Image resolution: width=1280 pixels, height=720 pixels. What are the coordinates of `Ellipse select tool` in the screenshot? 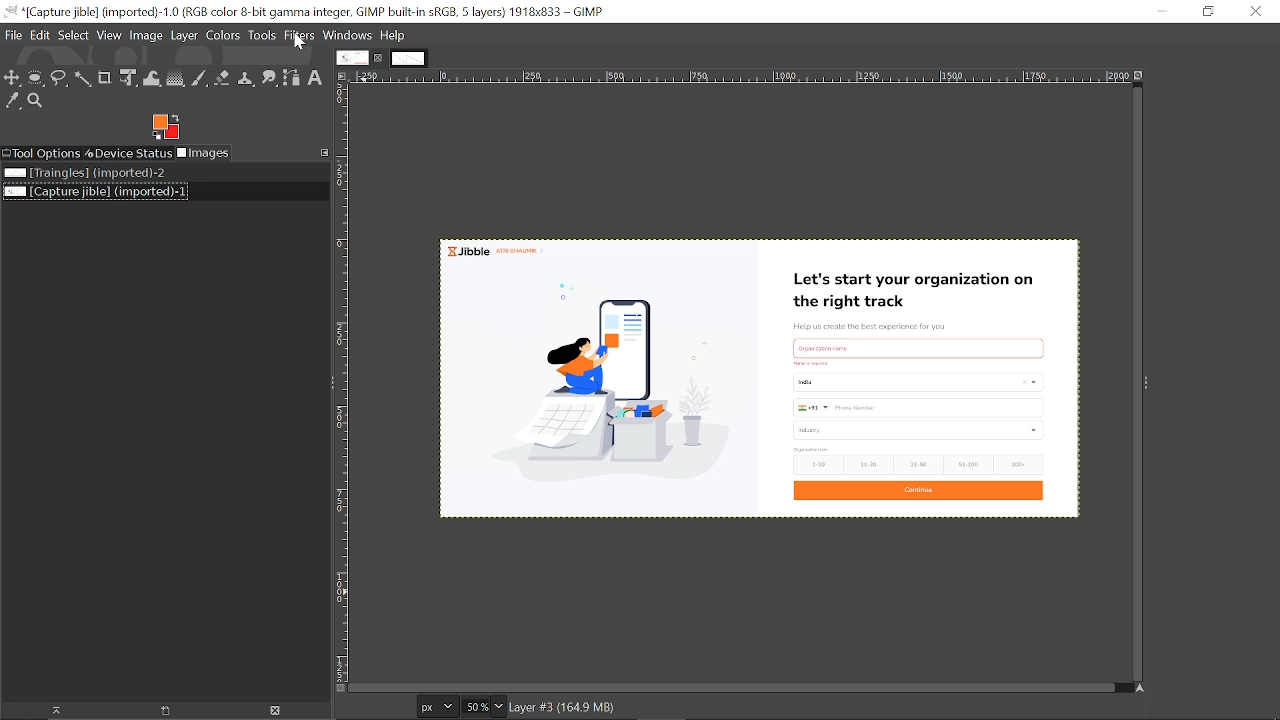 It's located at (37, 78).